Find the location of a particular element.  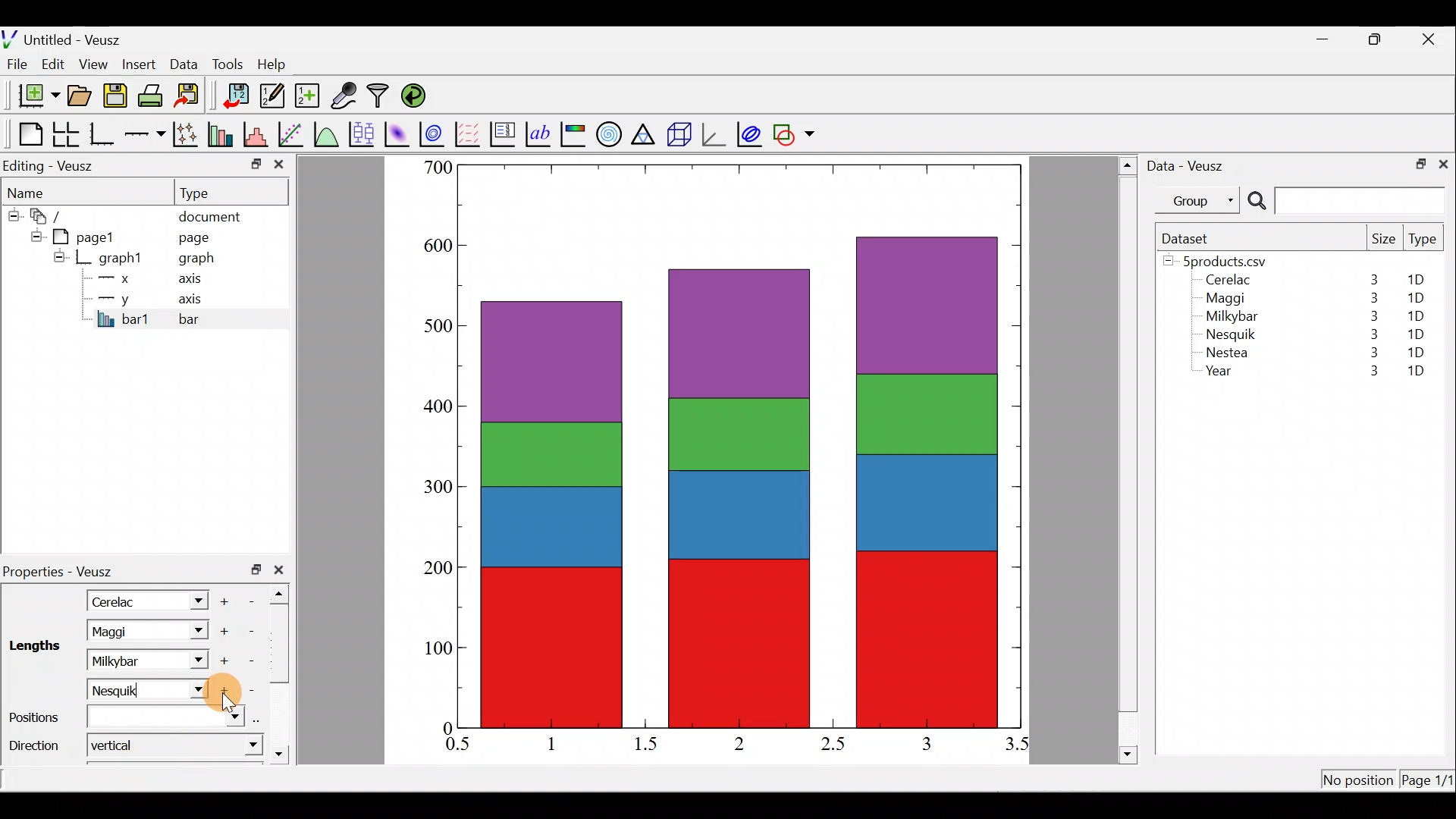

document widget is located at coordinates (54, 214).